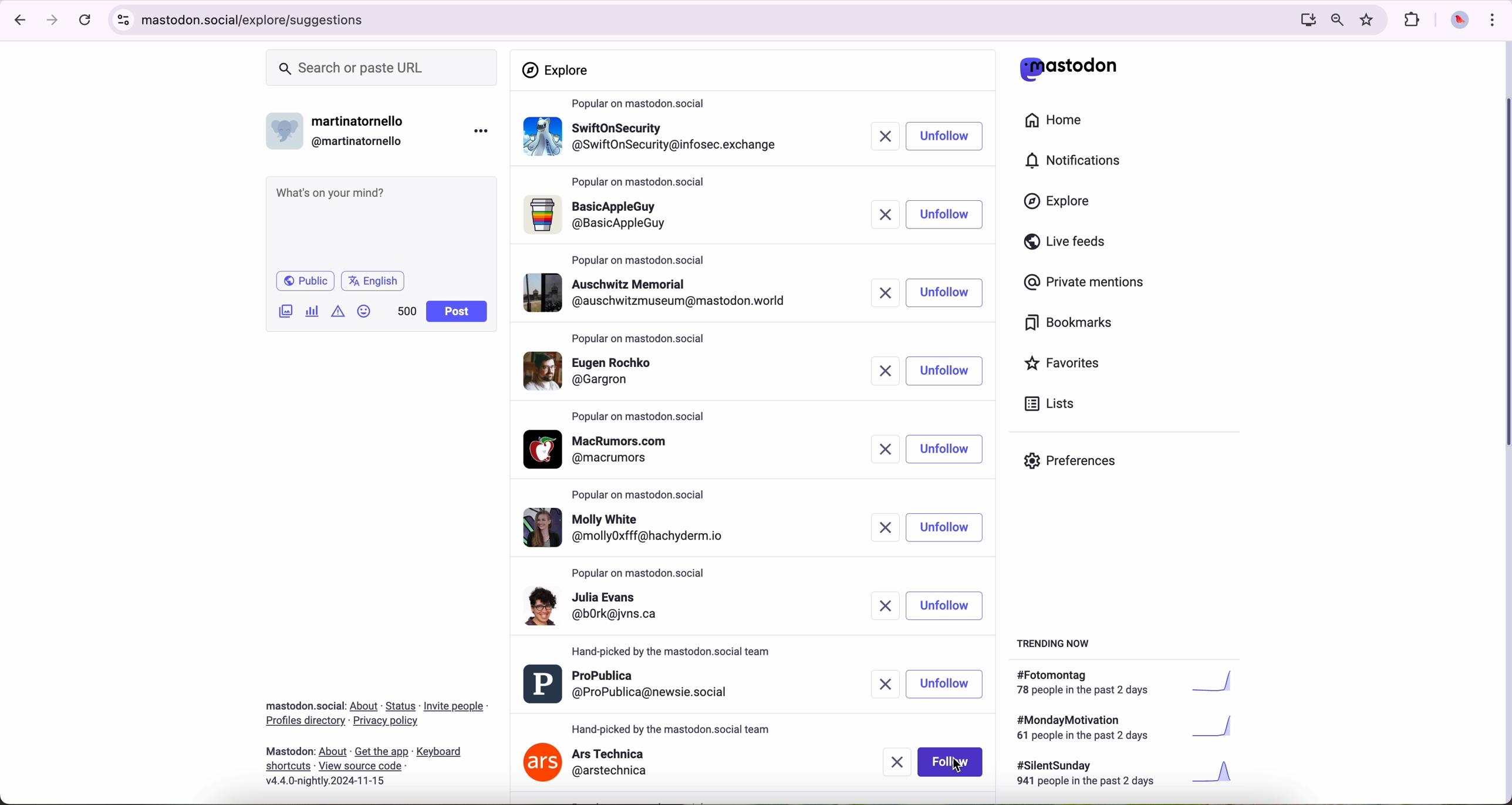 The width and height of the screenshot is (1512, 805). Describe the element at coordinates (1060, 123) in the screenshot. I see `home` at that location.